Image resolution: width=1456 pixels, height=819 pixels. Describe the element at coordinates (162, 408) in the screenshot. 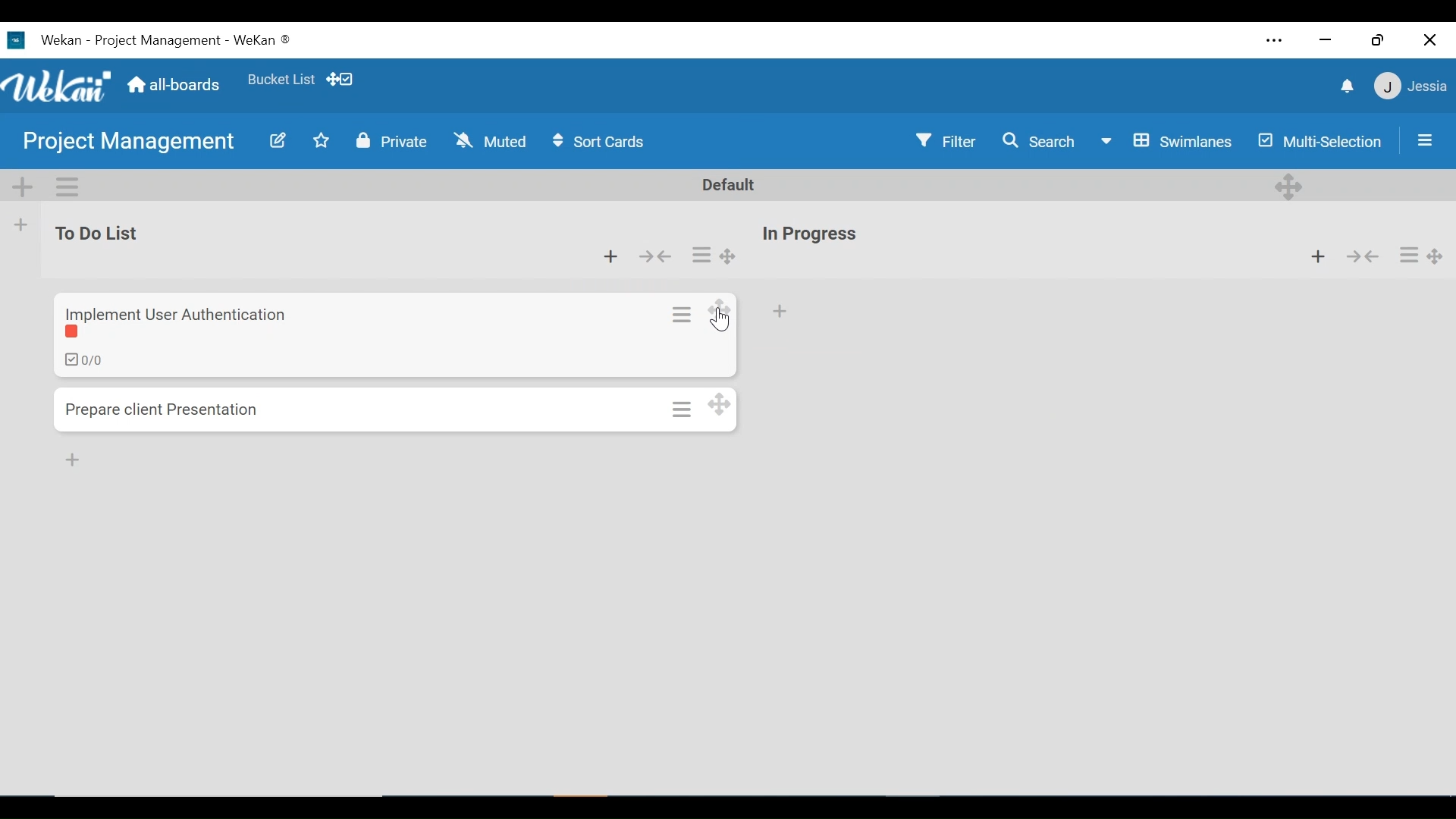

I see `prepare client presentation` at that location.